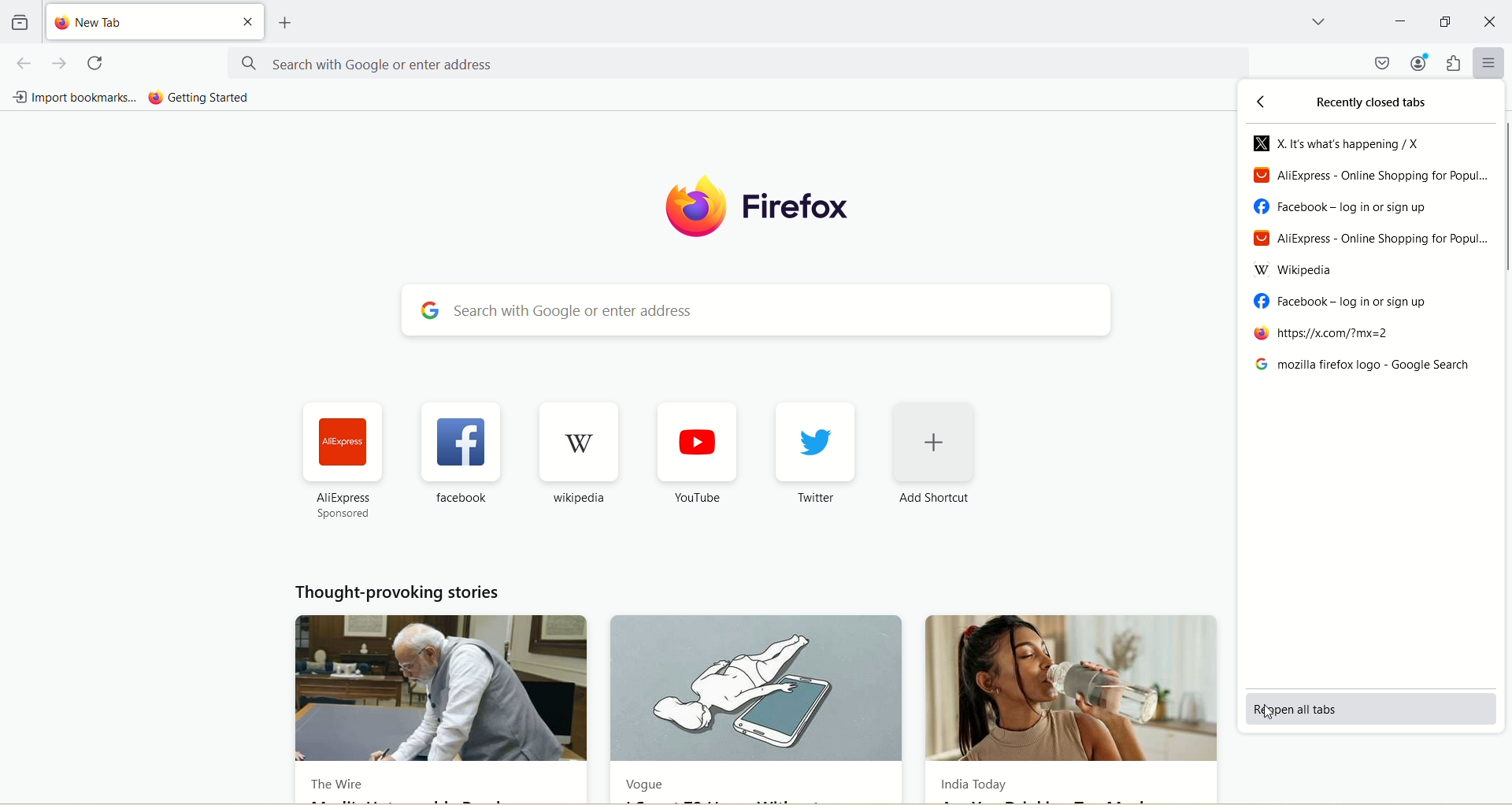  Describe the element at coordinates (346, 505) in the screenshot. I see `AliExpress sponsored` at that location.